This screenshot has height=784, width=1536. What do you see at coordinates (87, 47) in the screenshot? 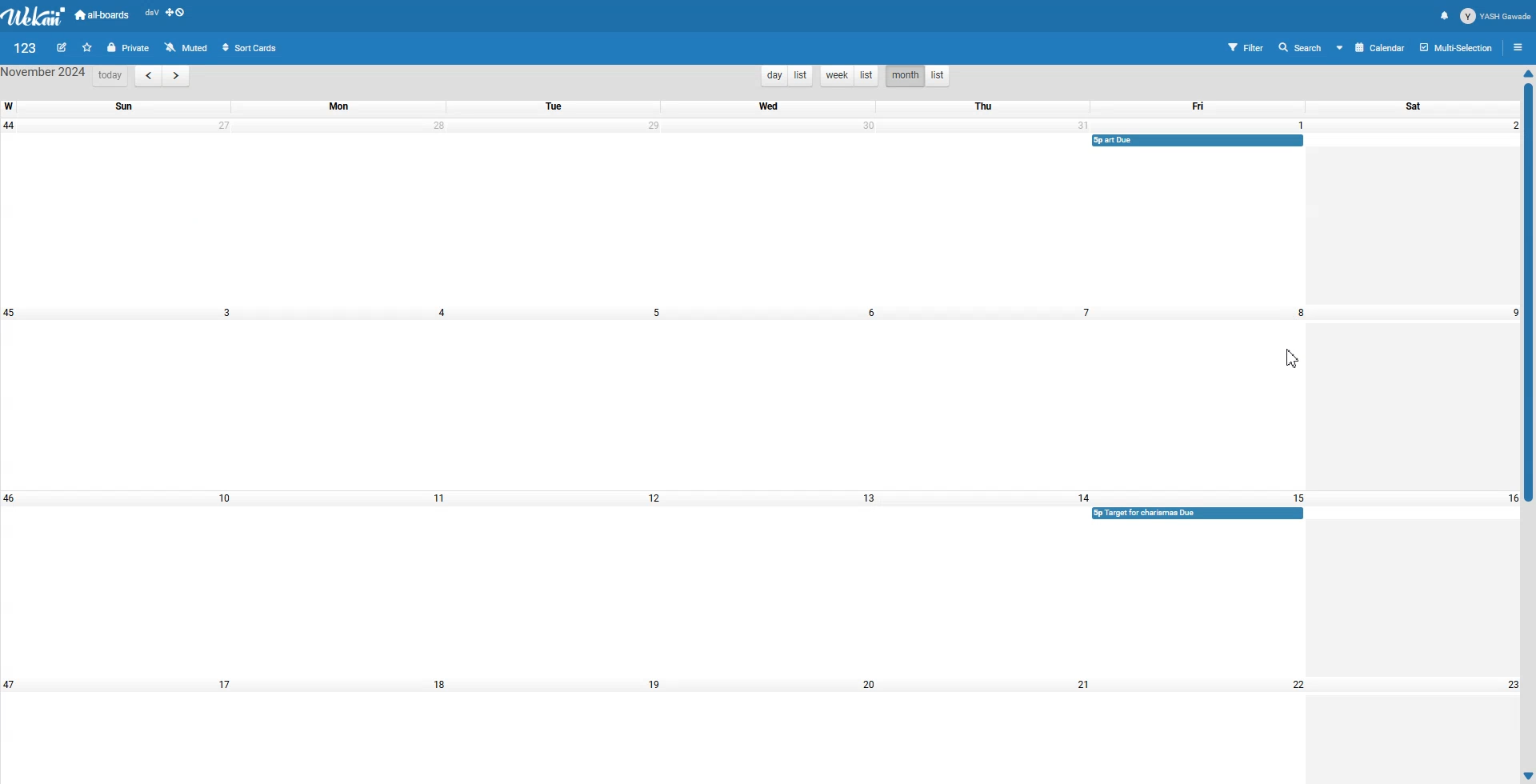
I see `Click to star this board` at bounding box center [87, 47].